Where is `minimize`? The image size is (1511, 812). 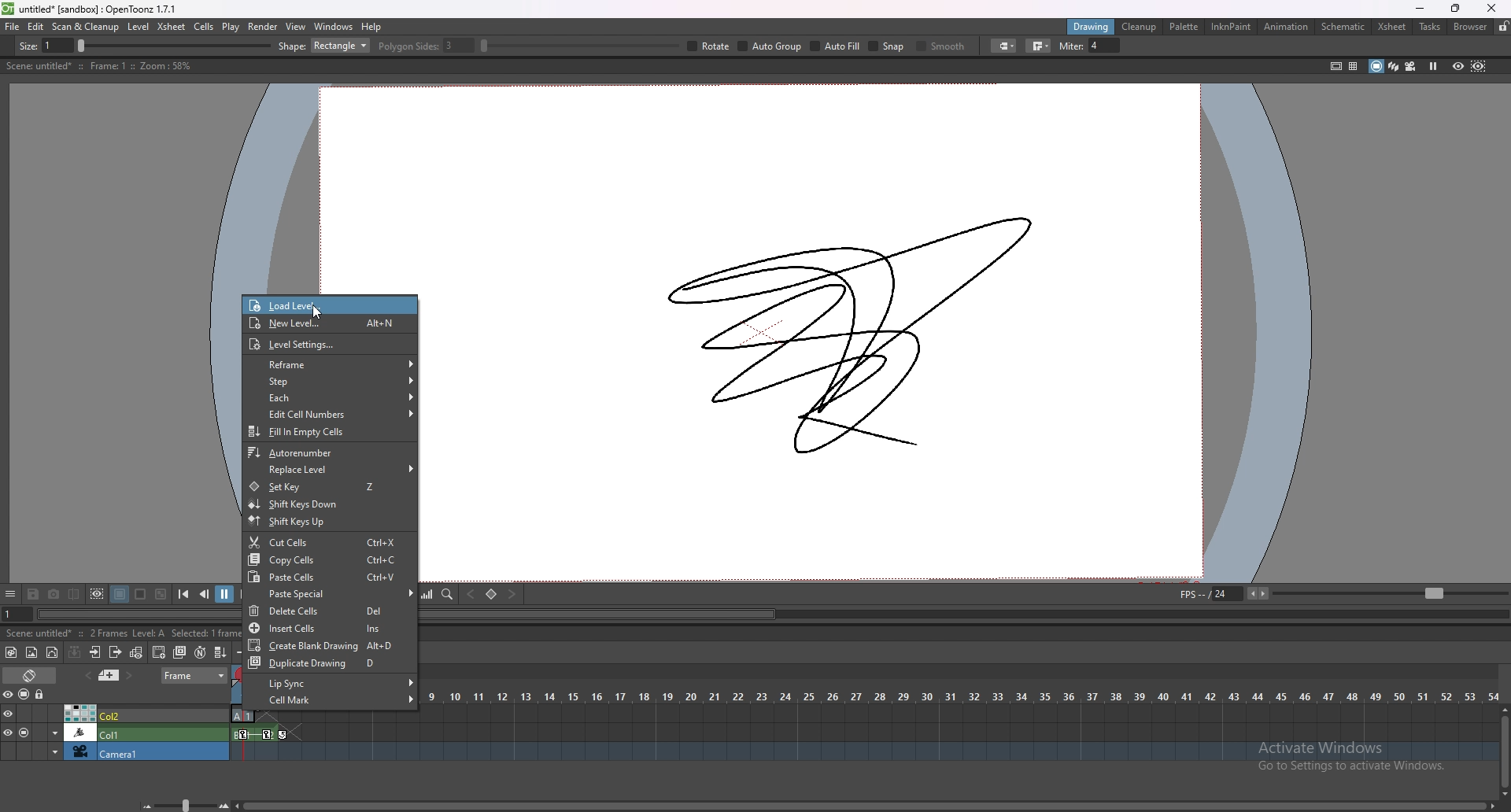
minimize is located at coordinates (1420, 9).